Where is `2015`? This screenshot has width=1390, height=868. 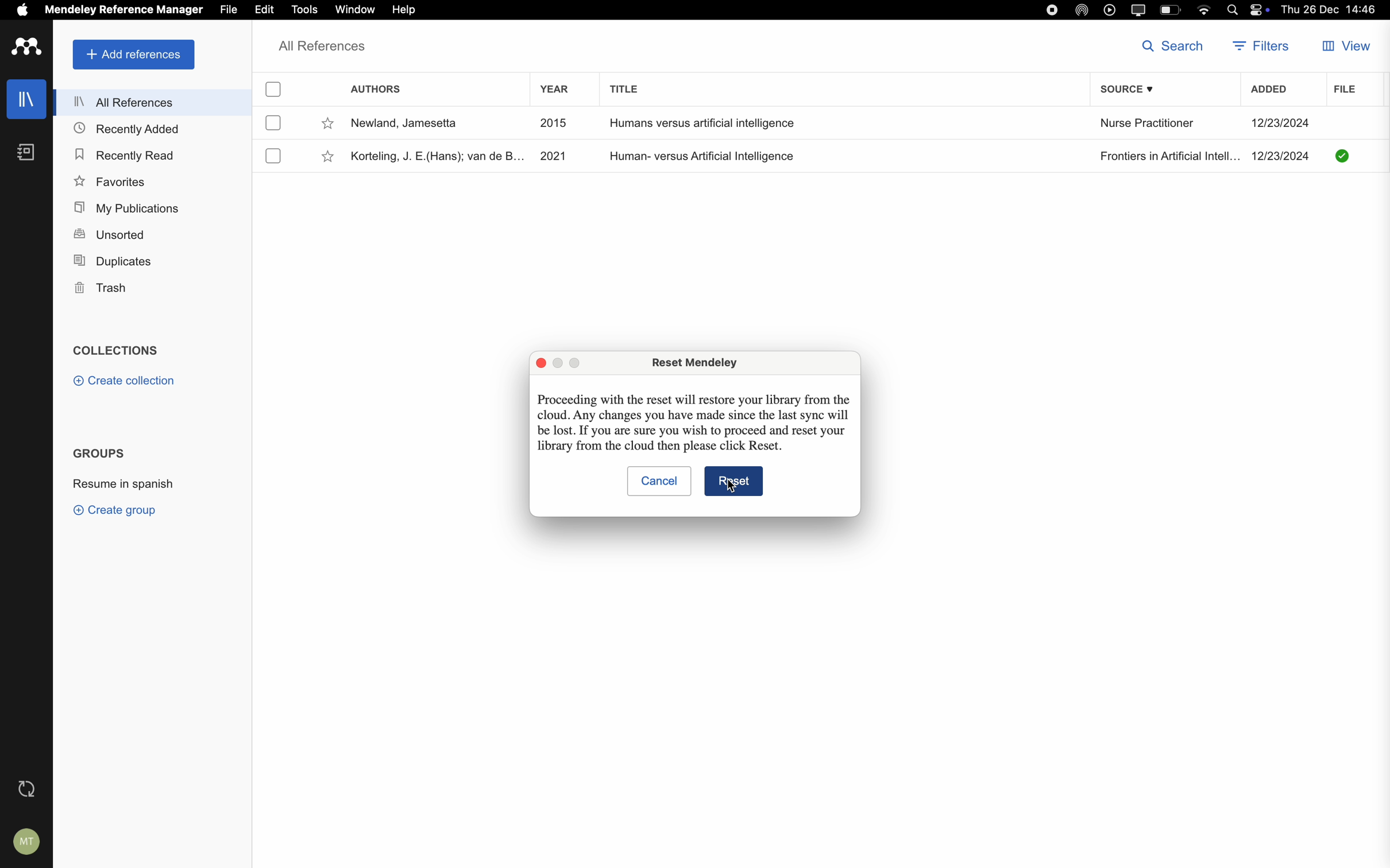 2015 is located at coordinates (557, 123).